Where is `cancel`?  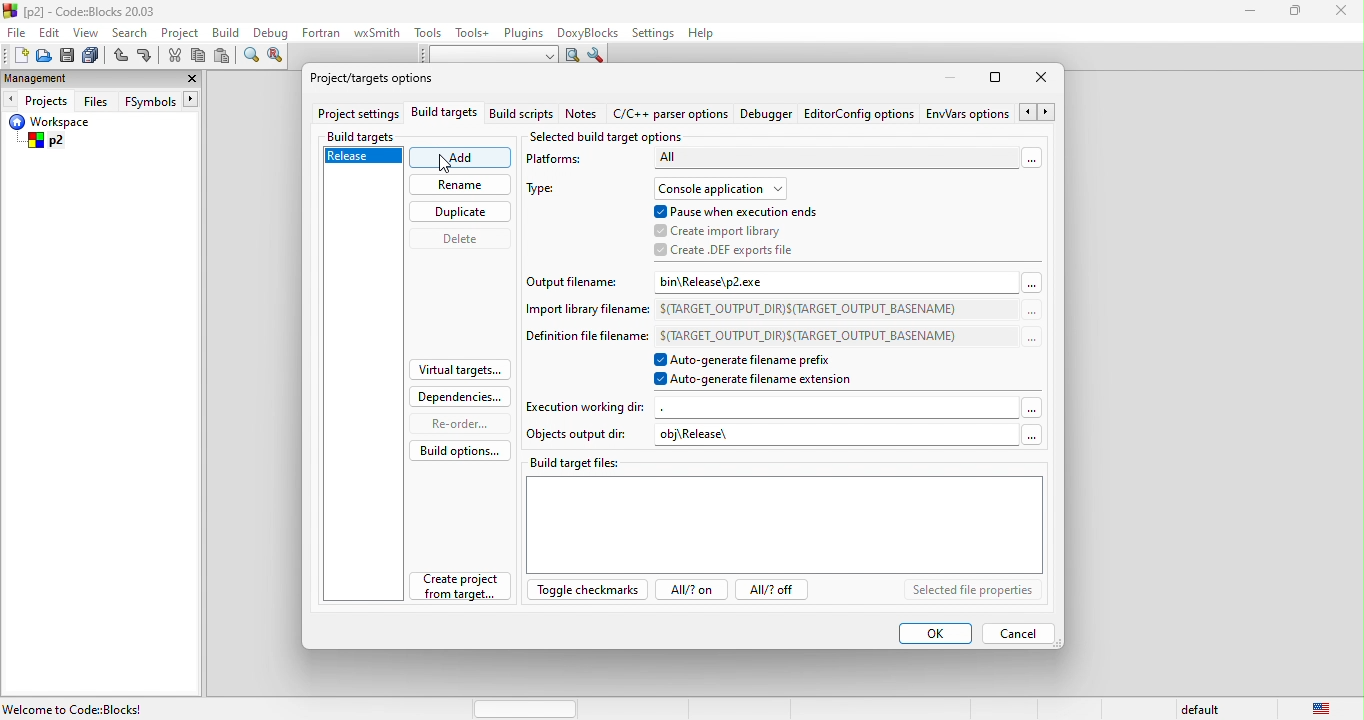
cancel is located at coordinates (1019, 634).